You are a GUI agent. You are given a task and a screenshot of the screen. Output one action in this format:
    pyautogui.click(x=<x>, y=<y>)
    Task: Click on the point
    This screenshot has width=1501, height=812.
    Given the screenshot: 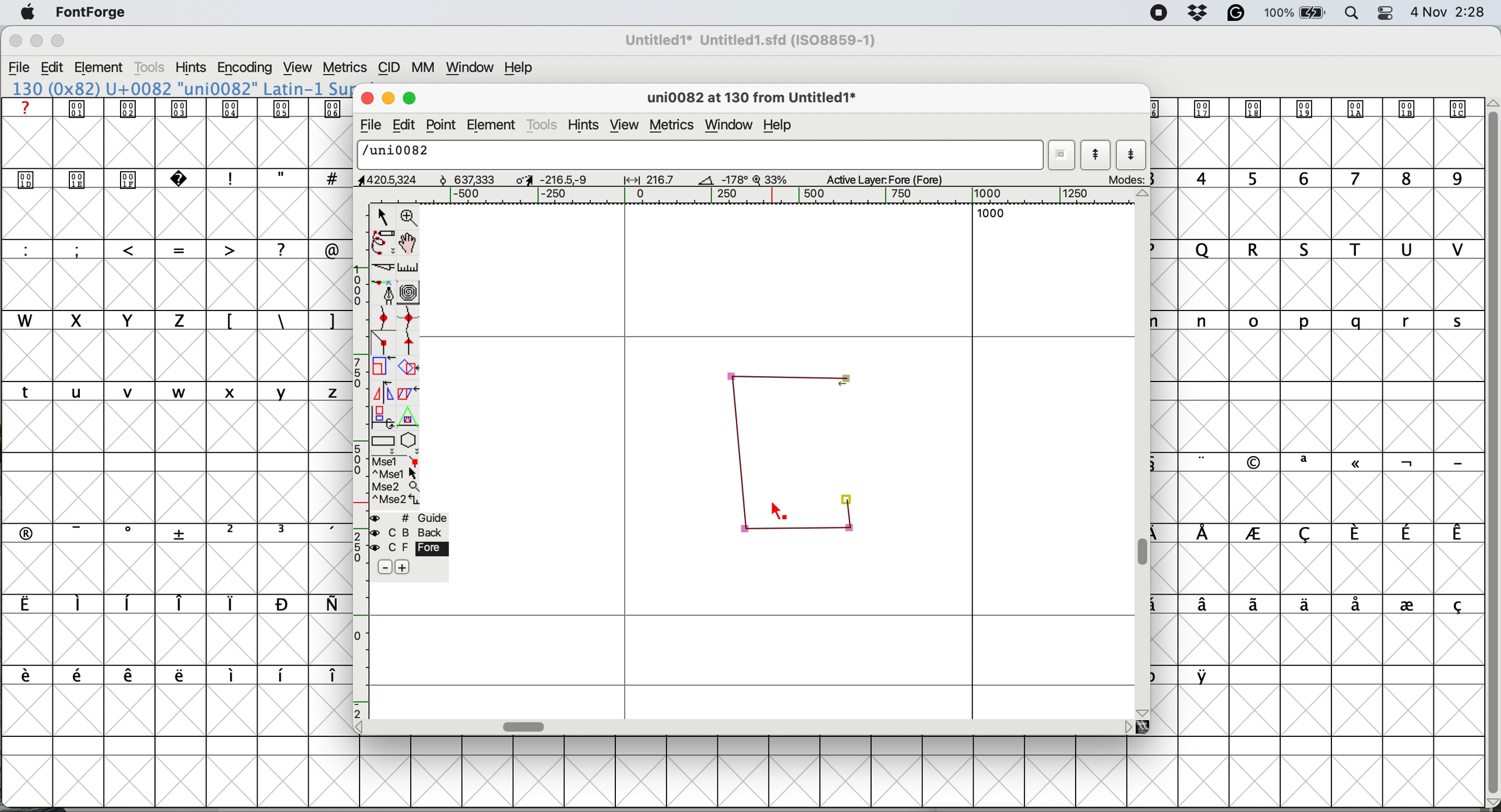 What is the action you would take?
    pyautogui.click(x=442, y=125)
    